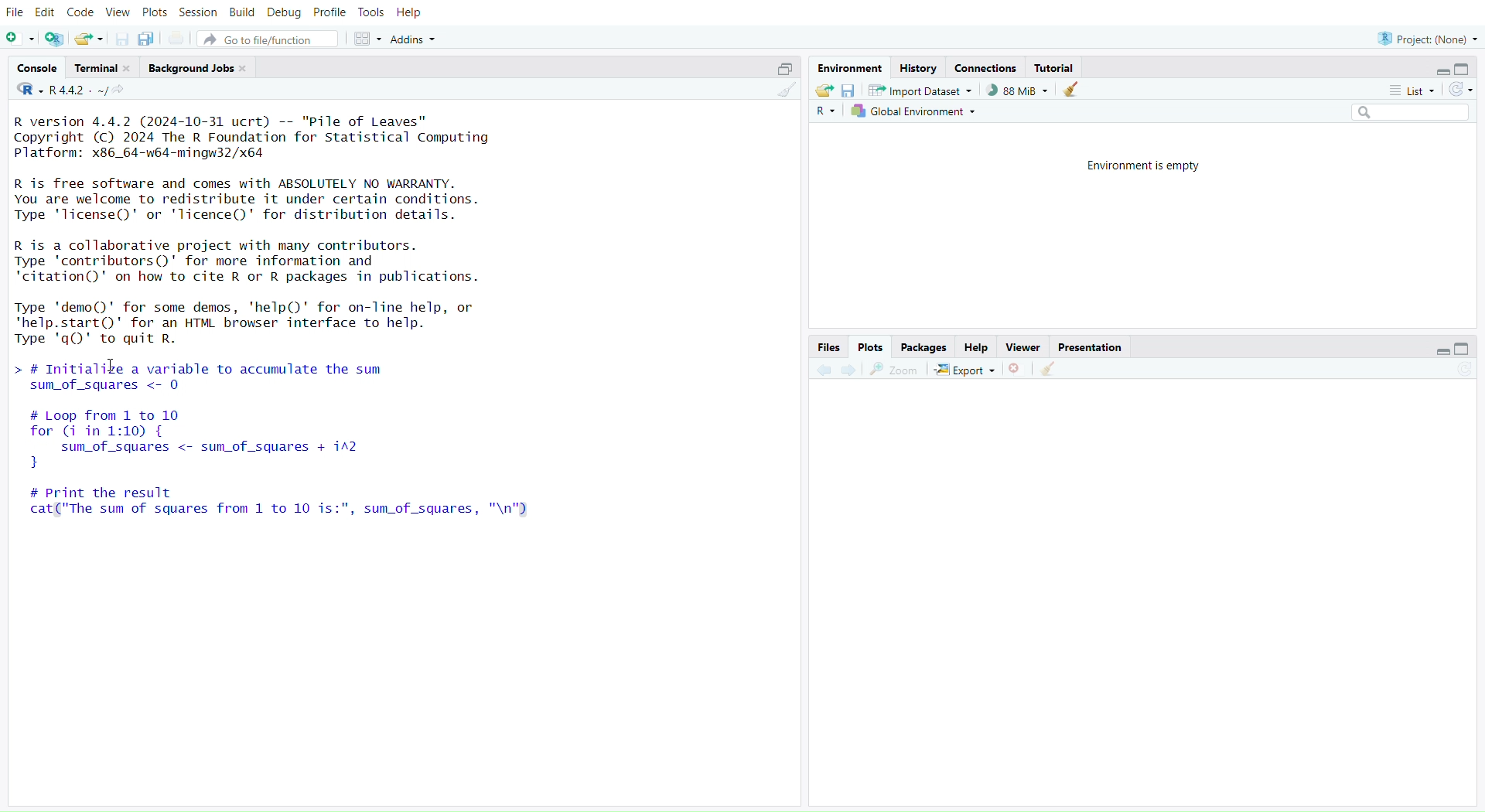 This screenshot has height=812, width=1485. Describe the element at coordinates (1441, 351) in the screenshot. I see `expand` at that location.